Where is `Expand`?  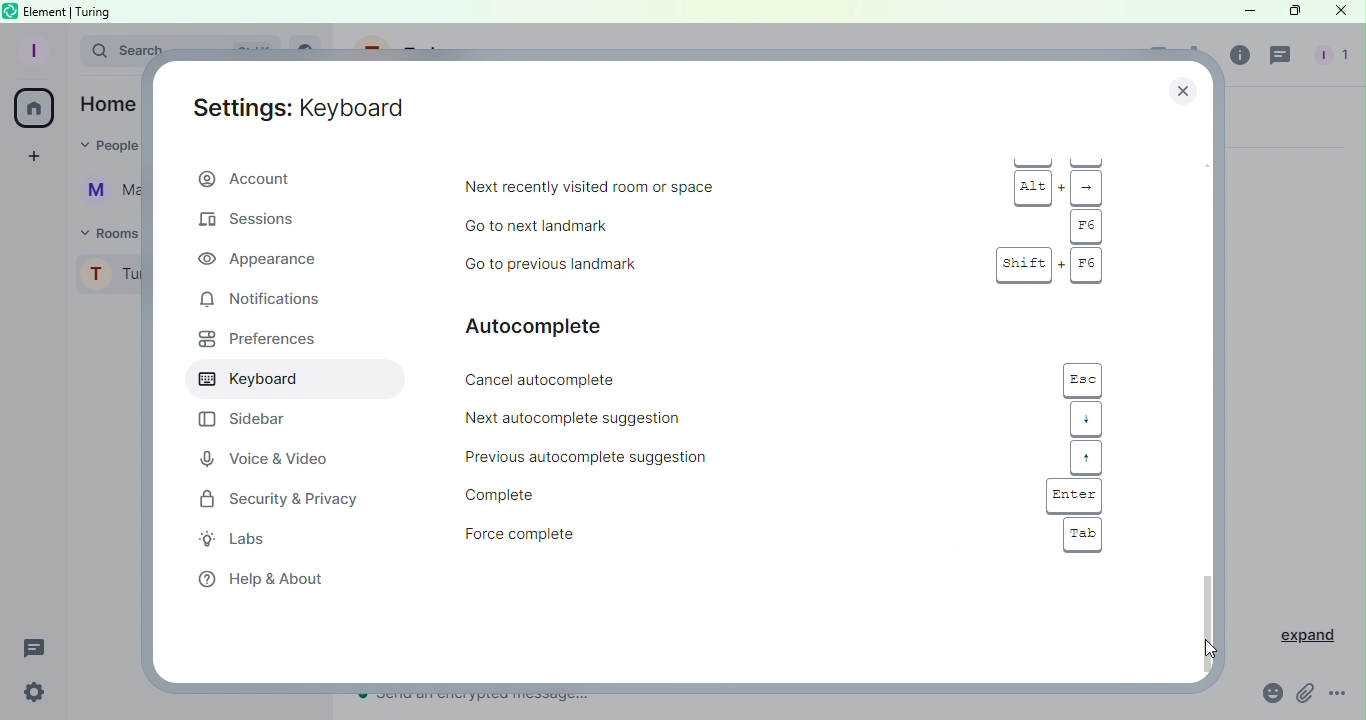 Expand is located at coordinates (1299, 635).